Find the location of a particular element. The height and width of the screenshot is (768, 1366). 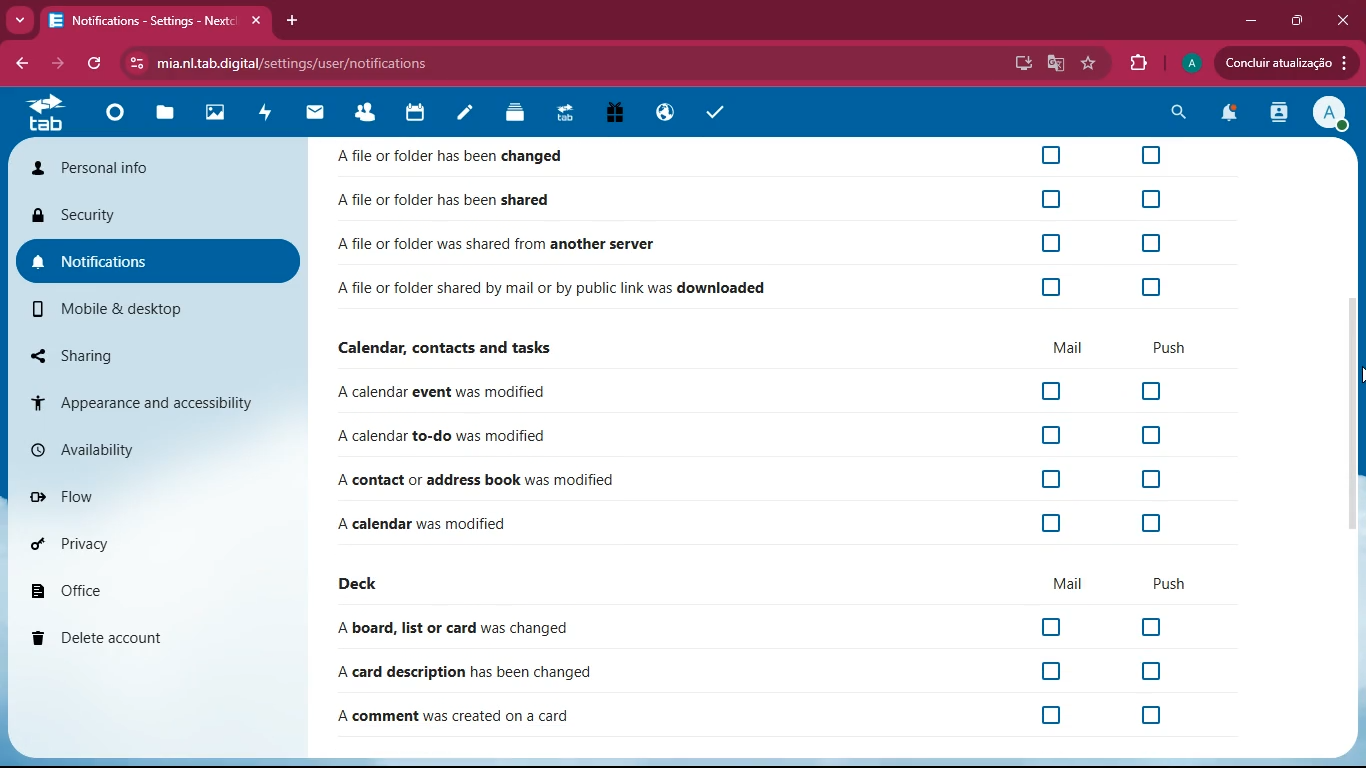

tab is located at coordinates (567, 114).